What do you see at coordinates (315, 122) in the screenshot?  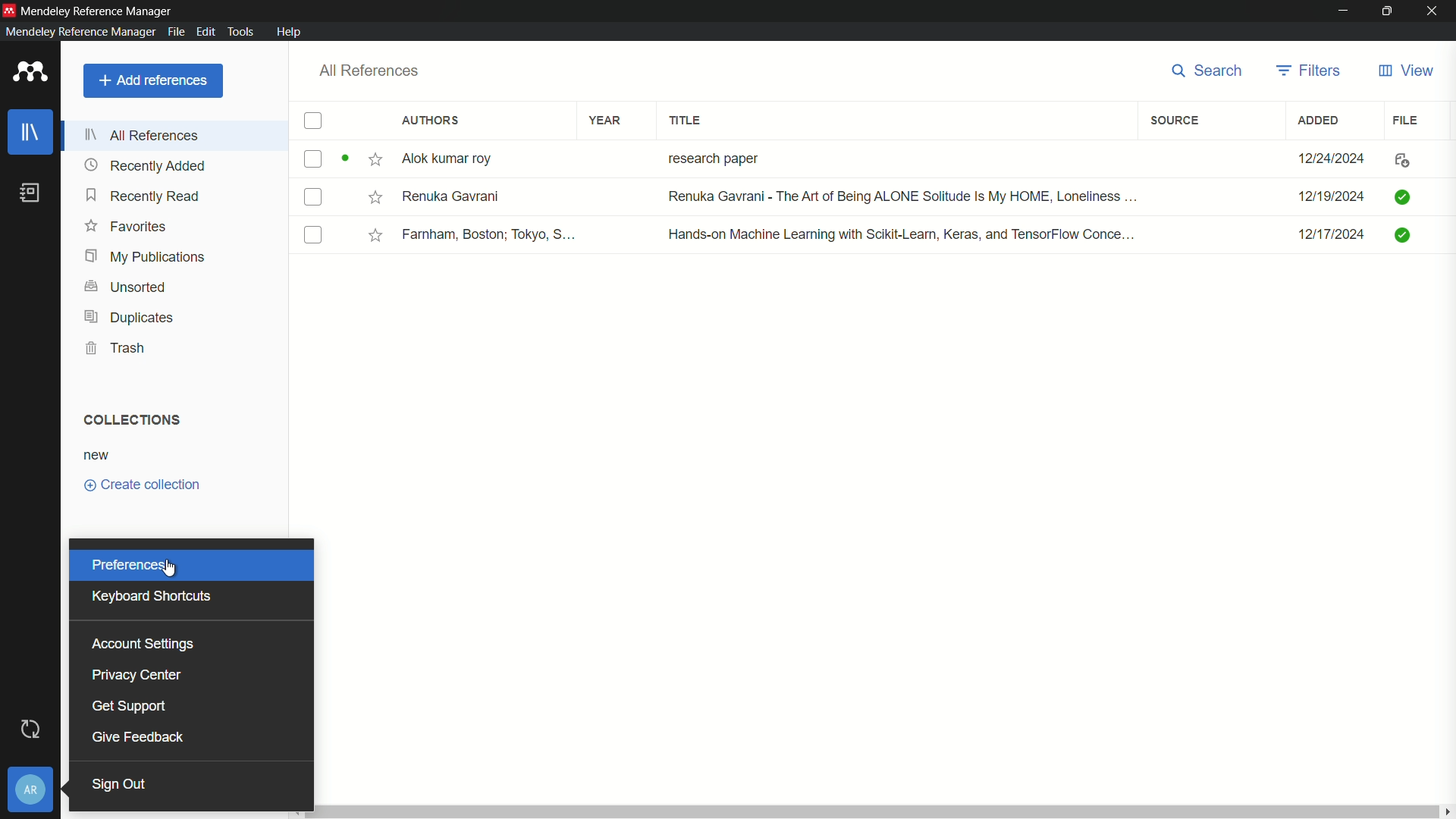 I see `check box` at bounding box center [315, 122].